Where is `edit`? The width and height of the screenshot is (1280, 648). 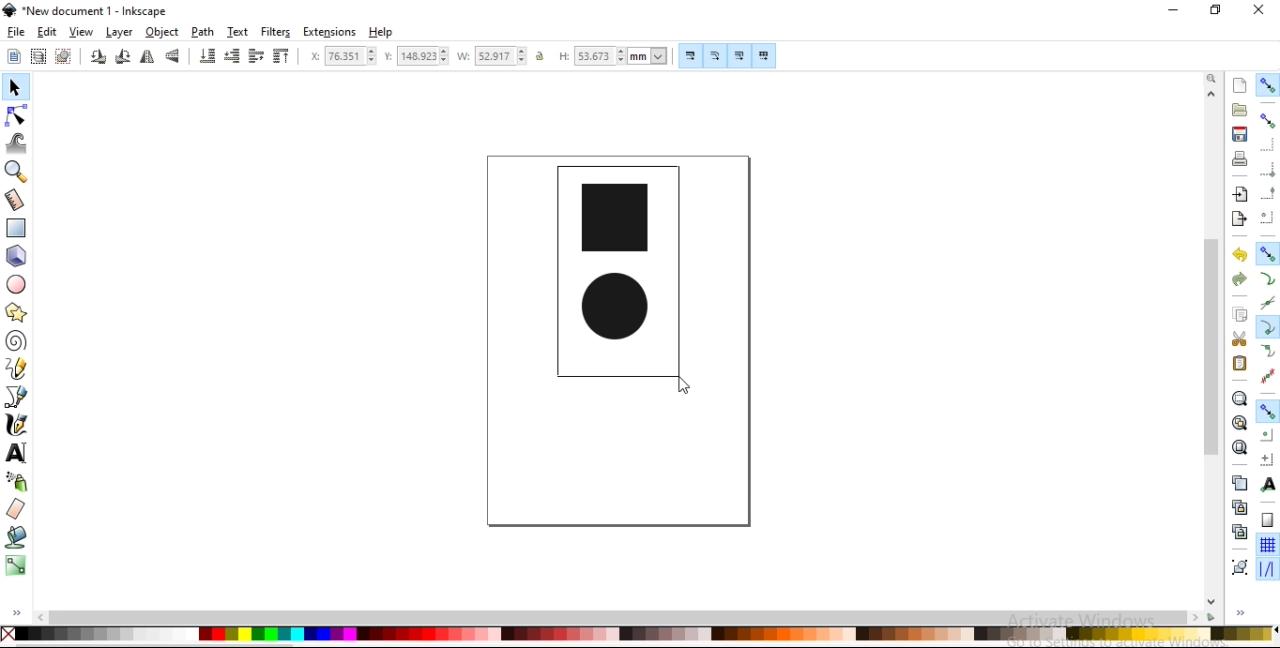 edit is located at coordinates (47, 32).